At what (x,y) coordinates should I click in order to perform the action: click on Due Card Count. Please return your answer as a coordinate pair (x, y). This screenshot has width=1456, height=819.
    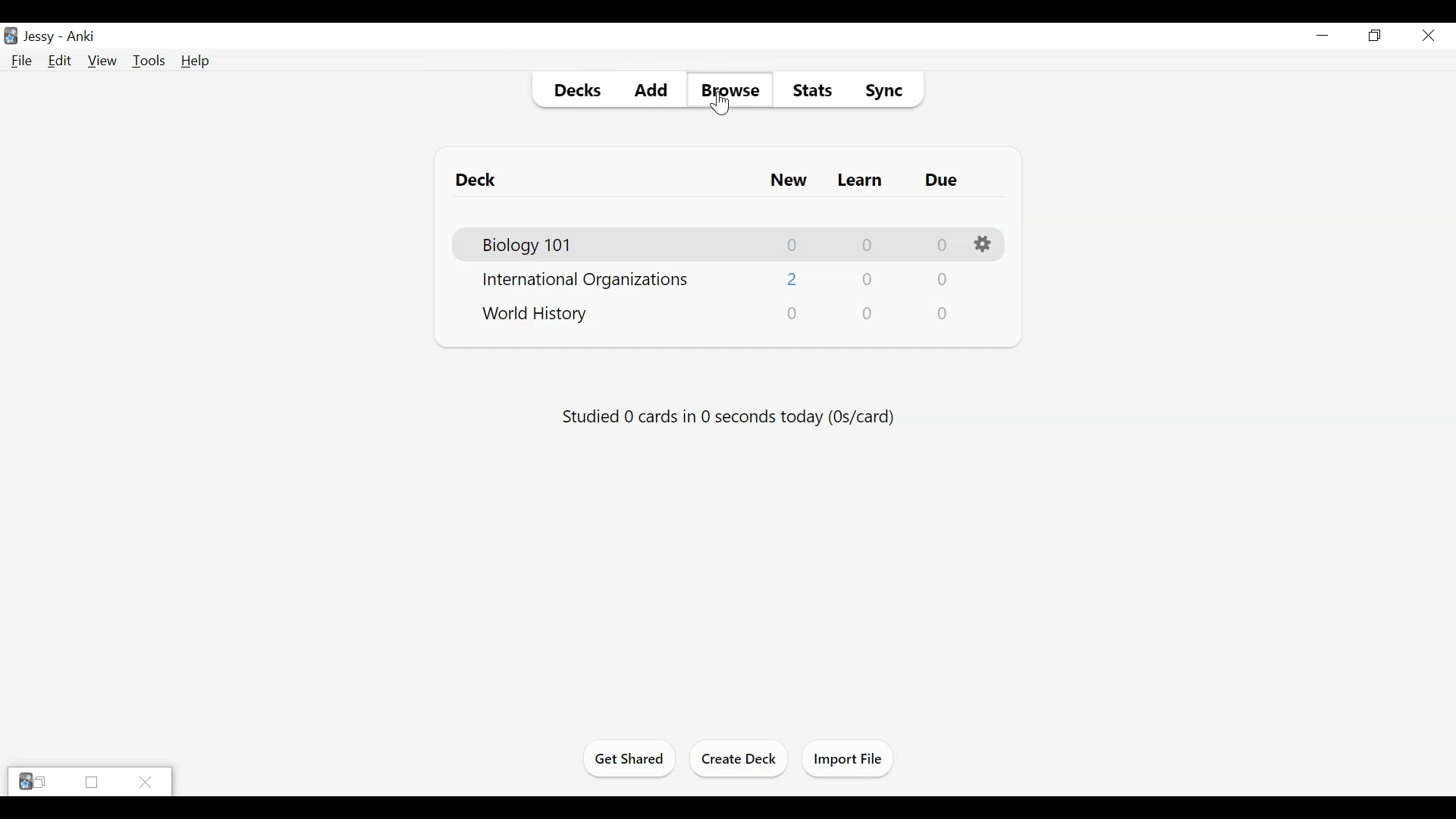
    Looking at the image, I should click on (944, 279).